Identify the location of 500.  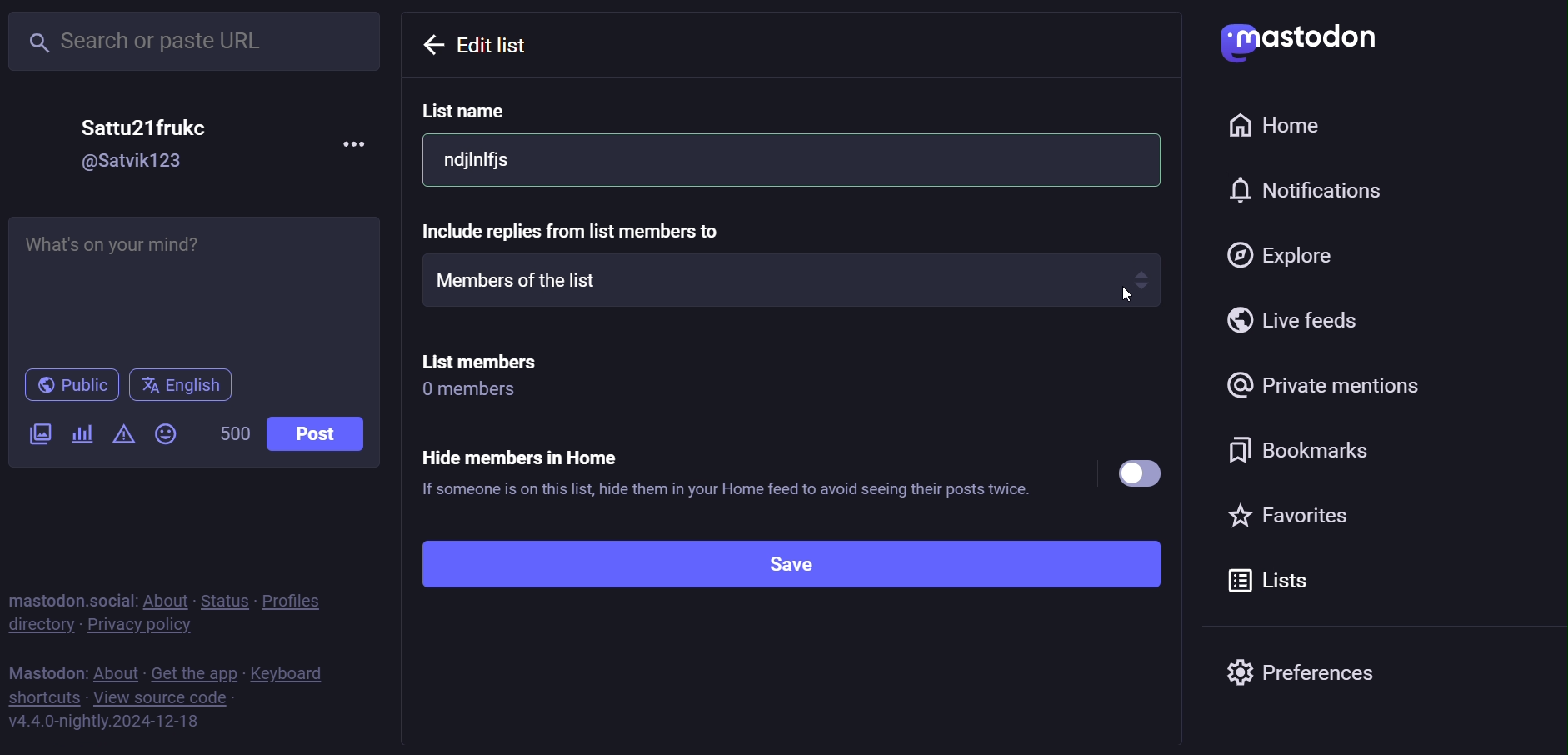
(235, 434).